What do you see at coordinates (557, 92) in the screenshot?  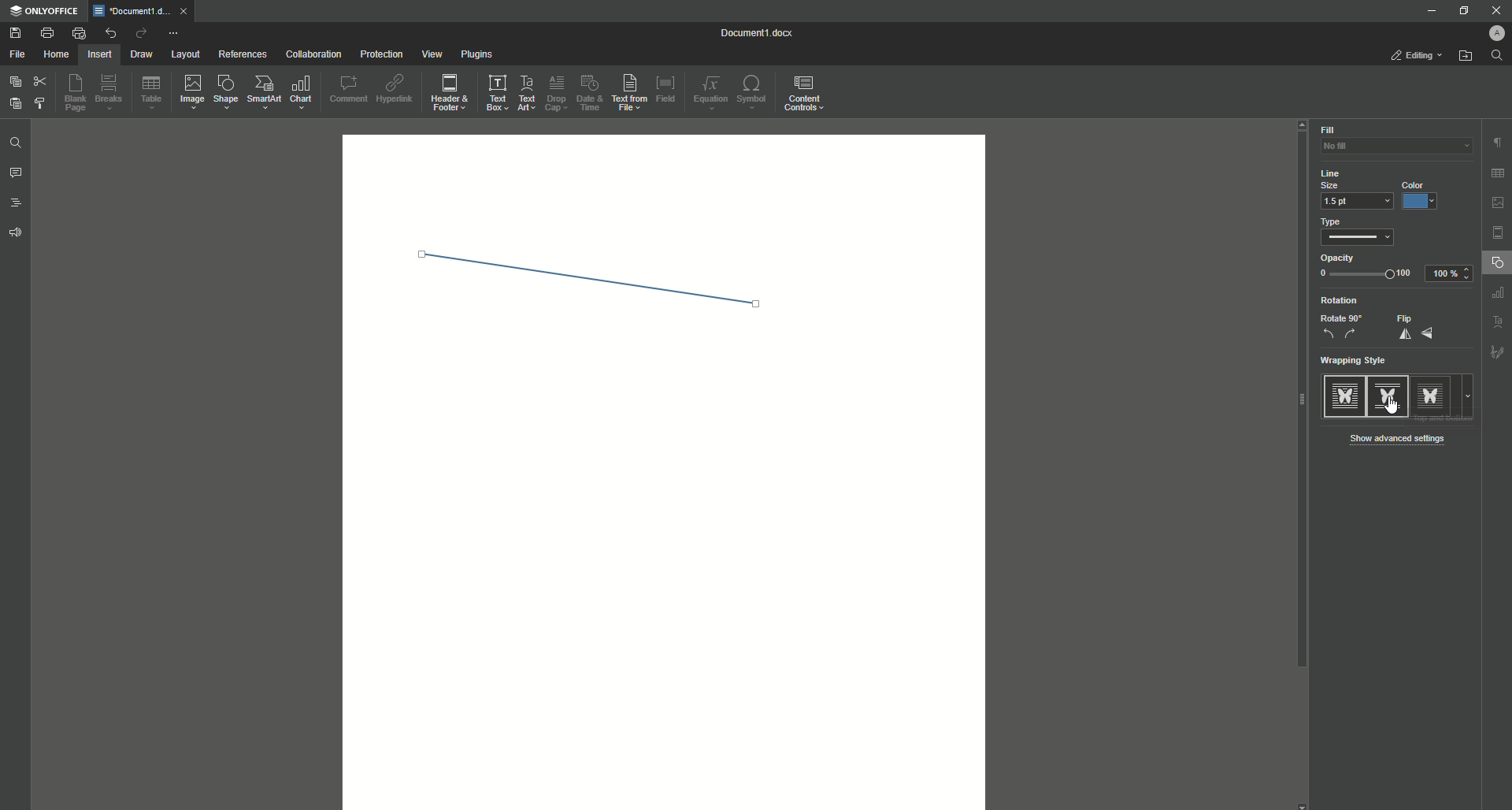 I see `Drop Cap` at bounding box center [557, 92].